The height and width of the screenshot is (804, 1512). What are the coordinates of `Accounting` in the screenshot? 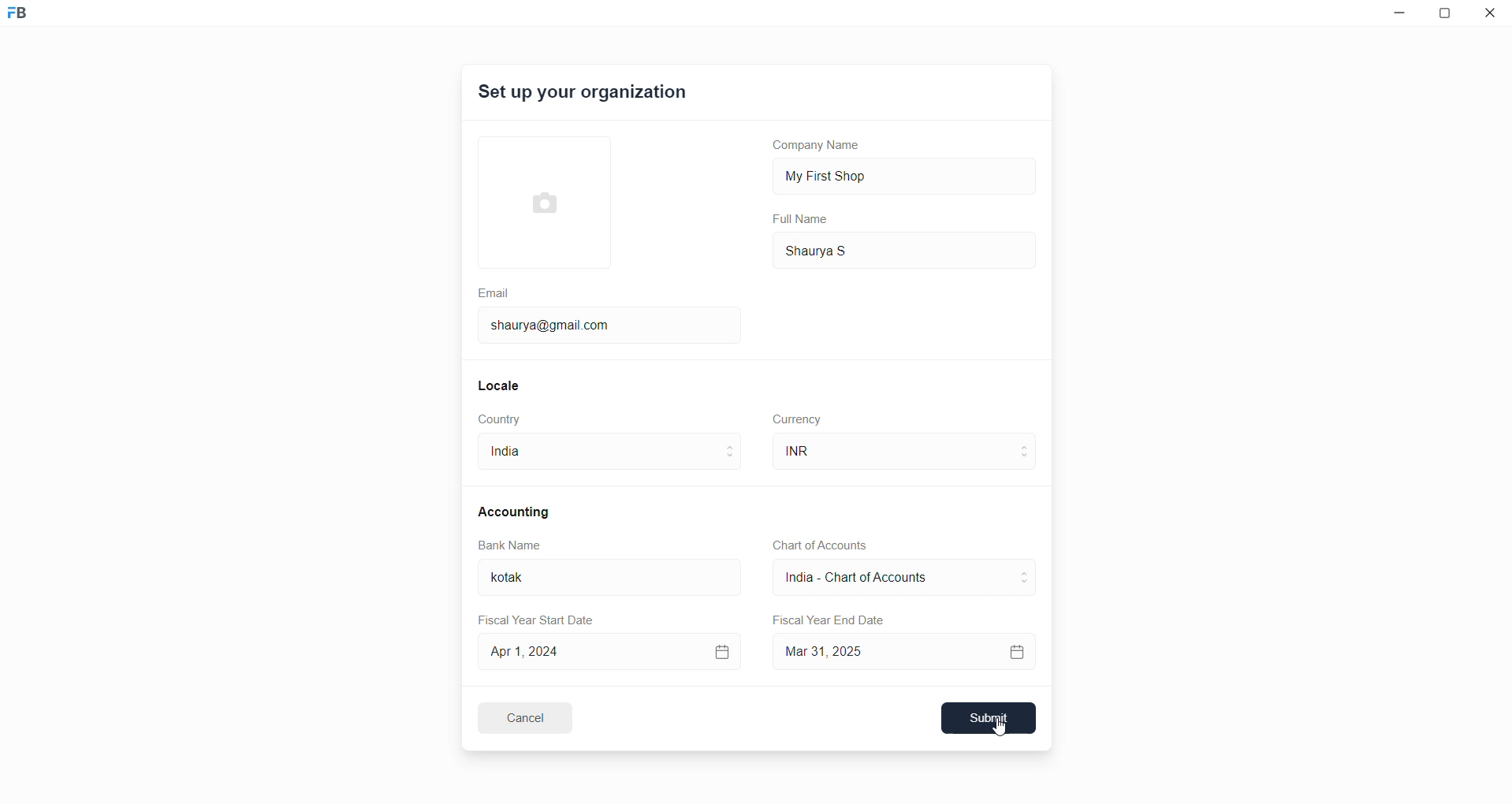 It's located at (516, 511).